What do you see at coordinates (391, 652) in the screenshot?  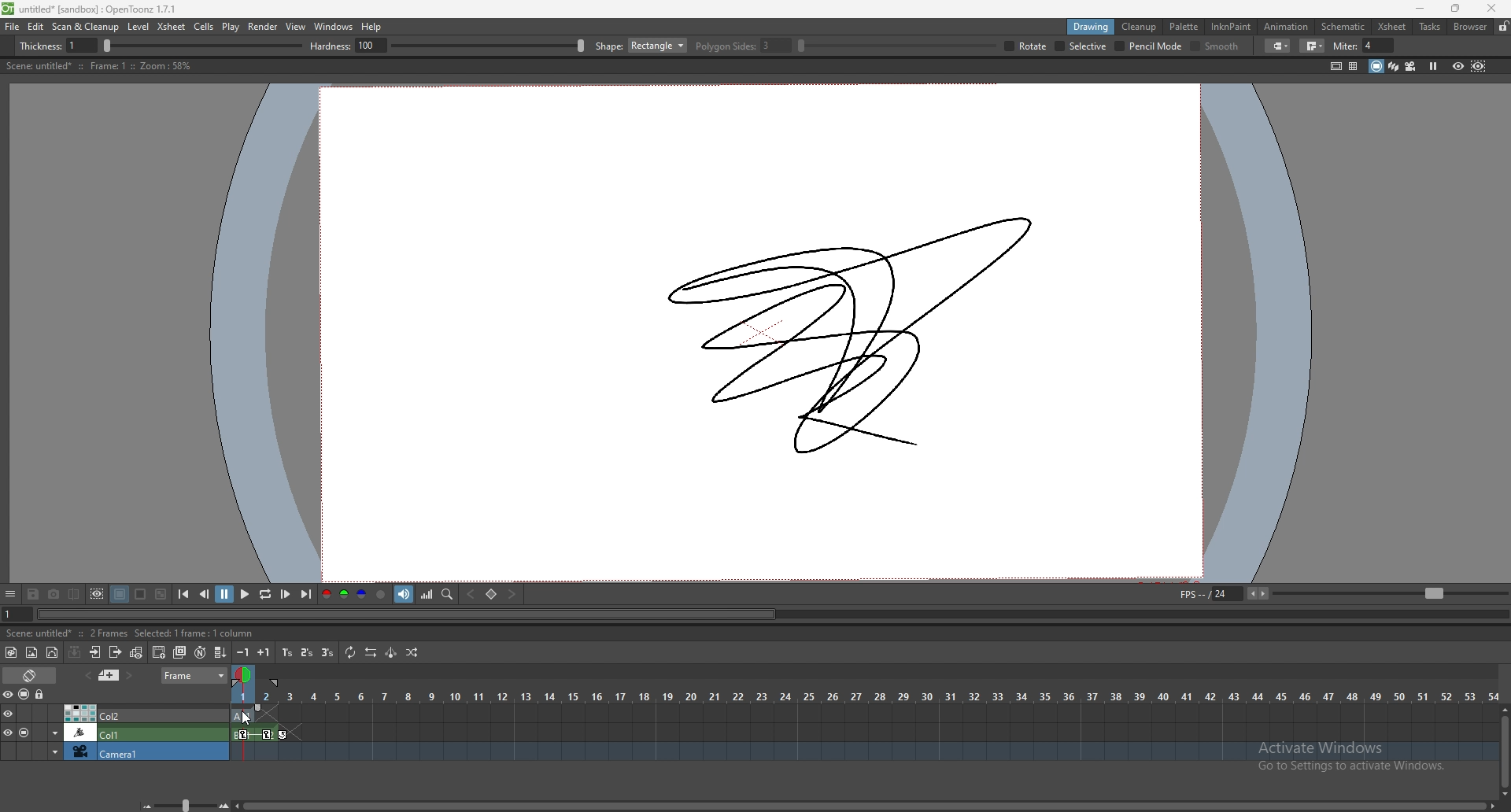 I see `swing` at bounding box center [391, 652].